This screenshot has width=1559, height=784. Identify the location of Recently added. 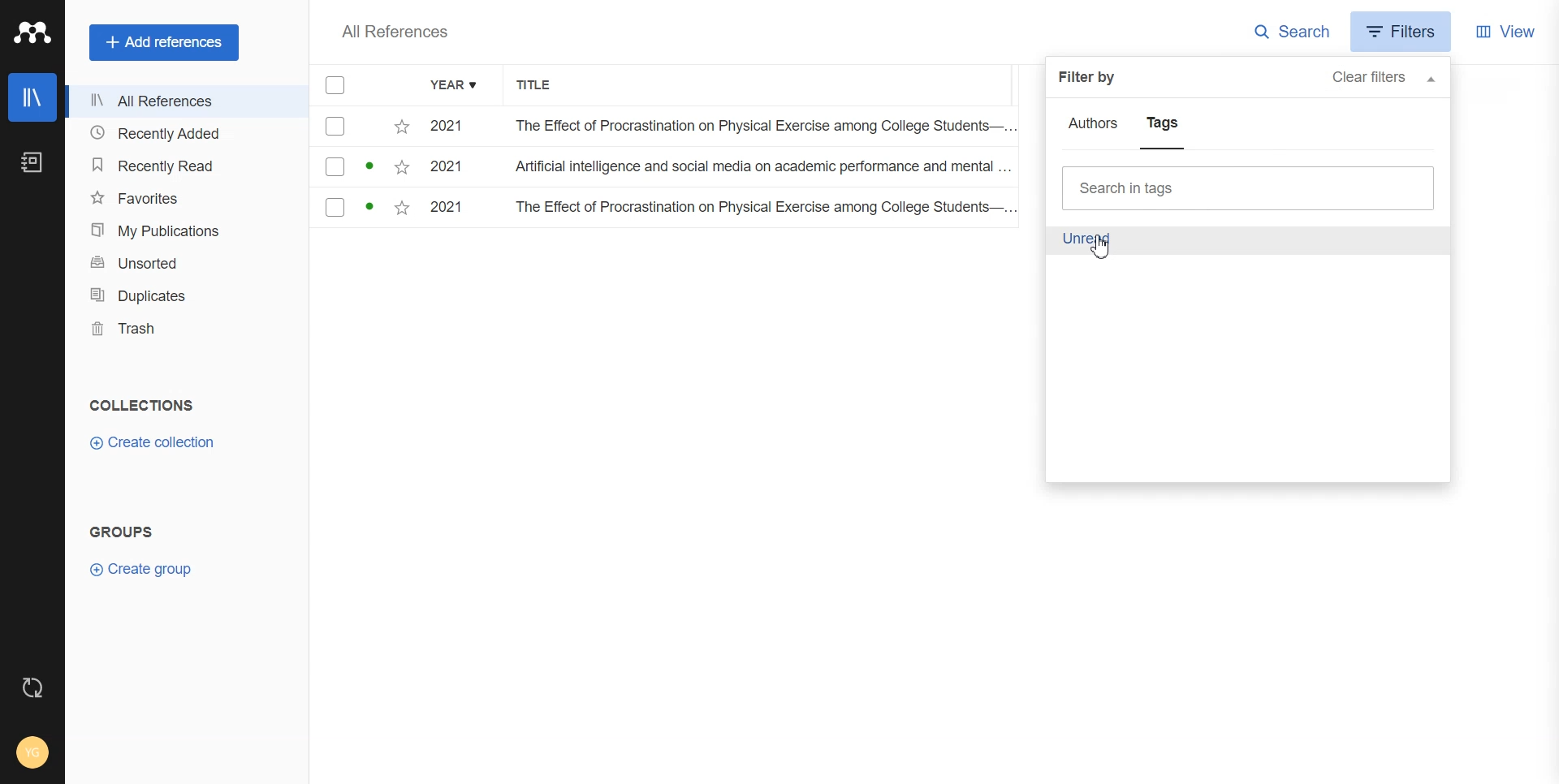
(185, 134).